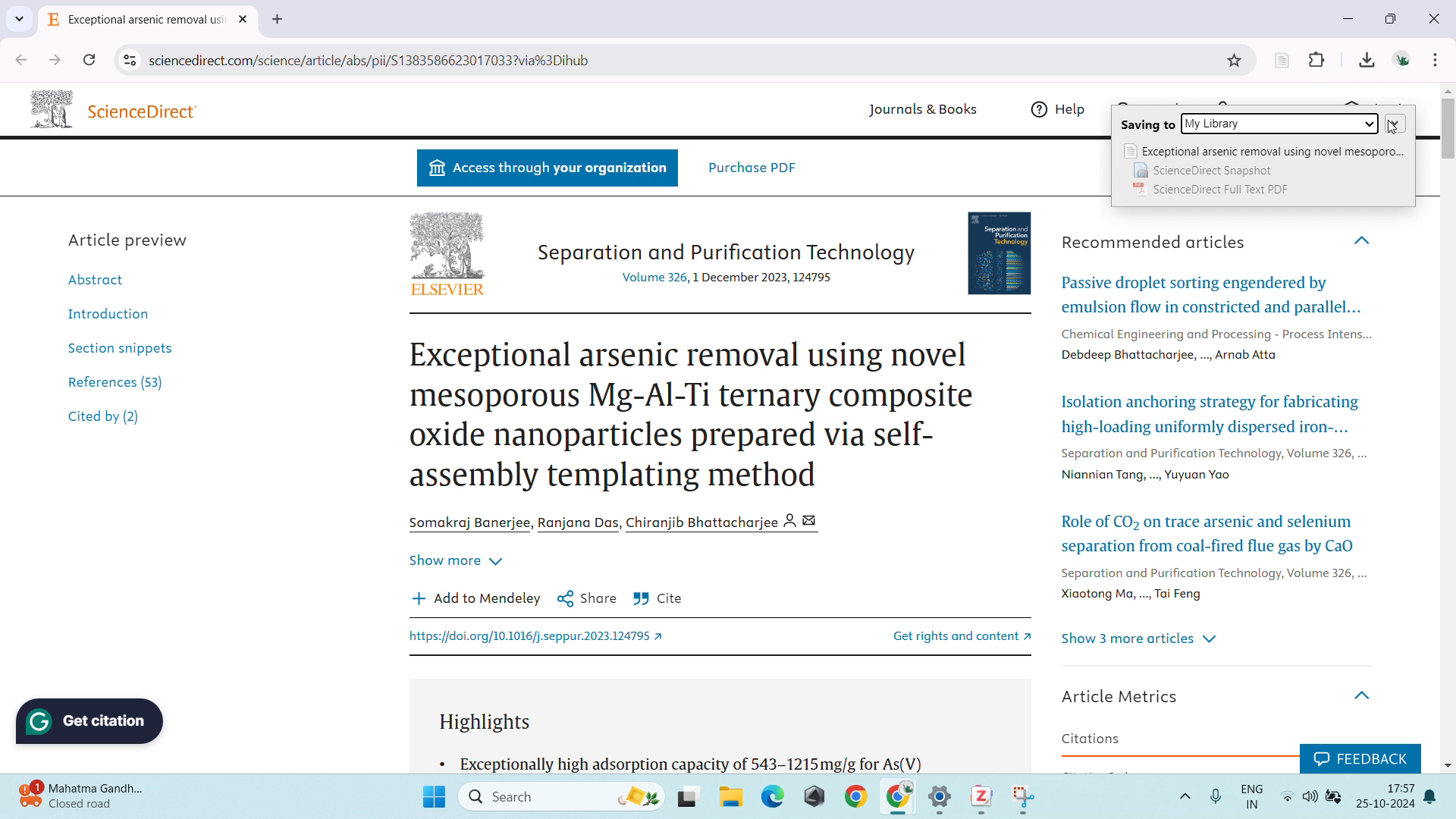 The width and height of the screenshot is (1456, 819). I want to click on view site information, so click(129, 61).